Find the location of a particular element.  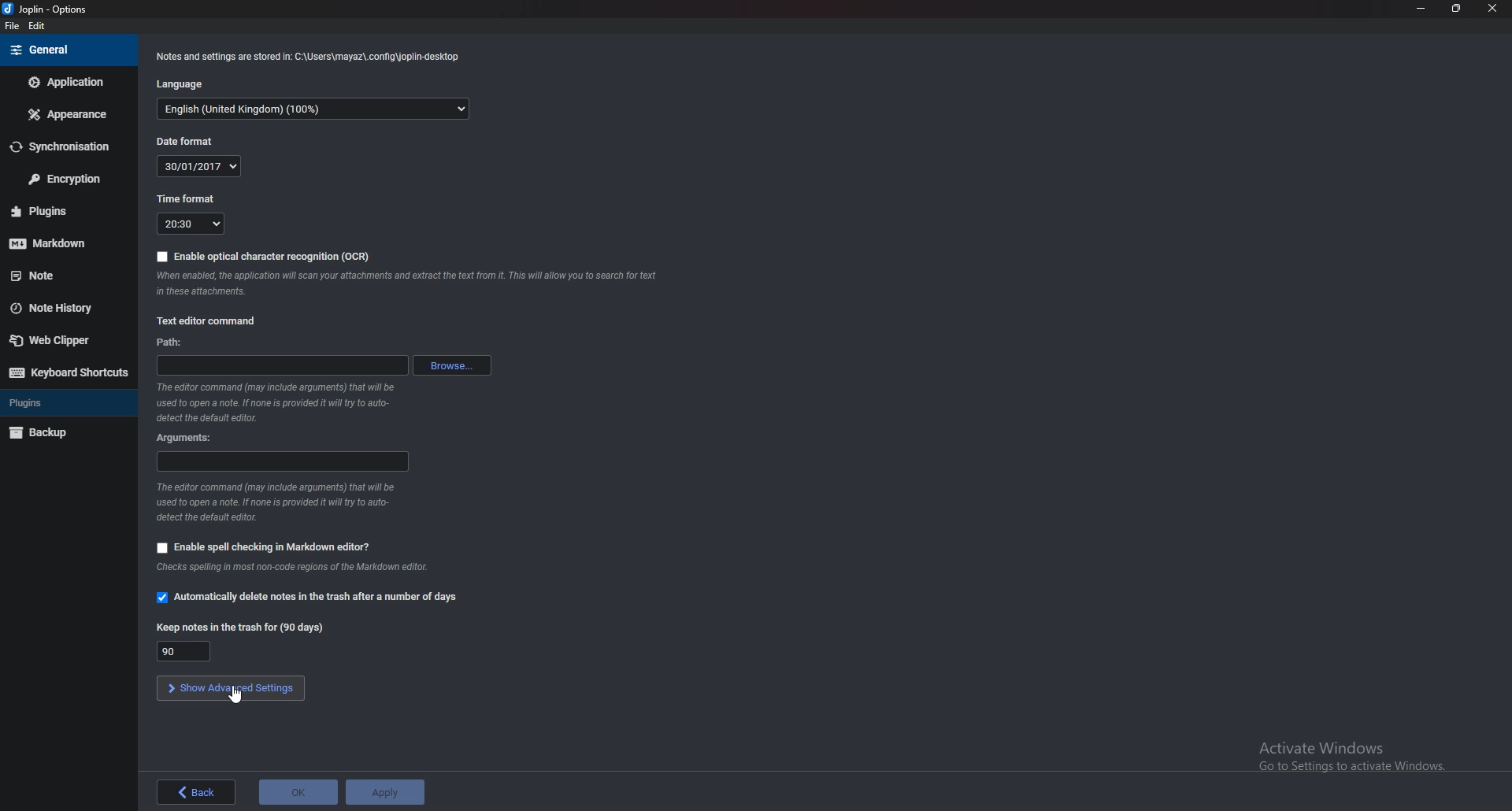

Arguments is located at coordinates (186, 439).